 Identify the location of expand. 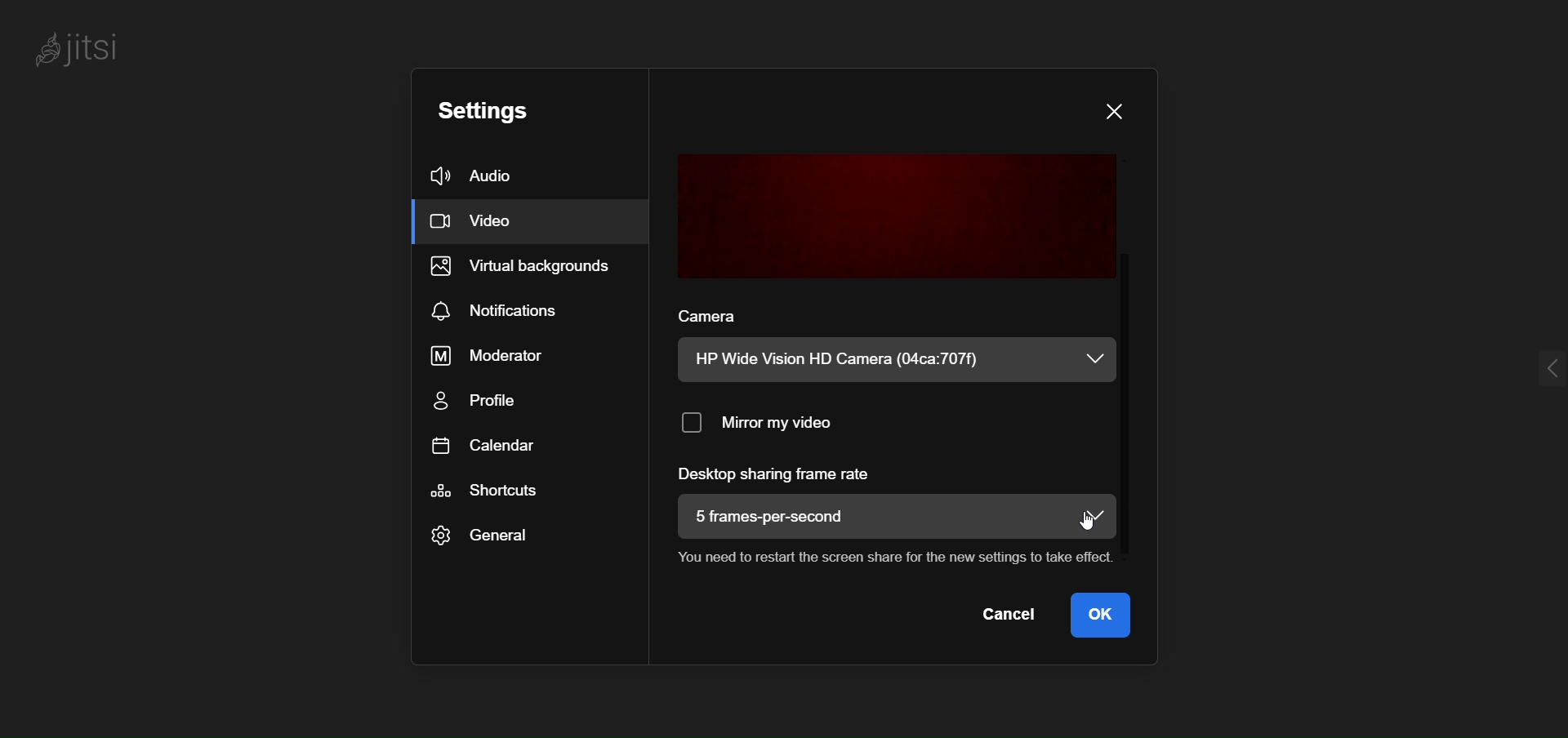
(1524, 367).